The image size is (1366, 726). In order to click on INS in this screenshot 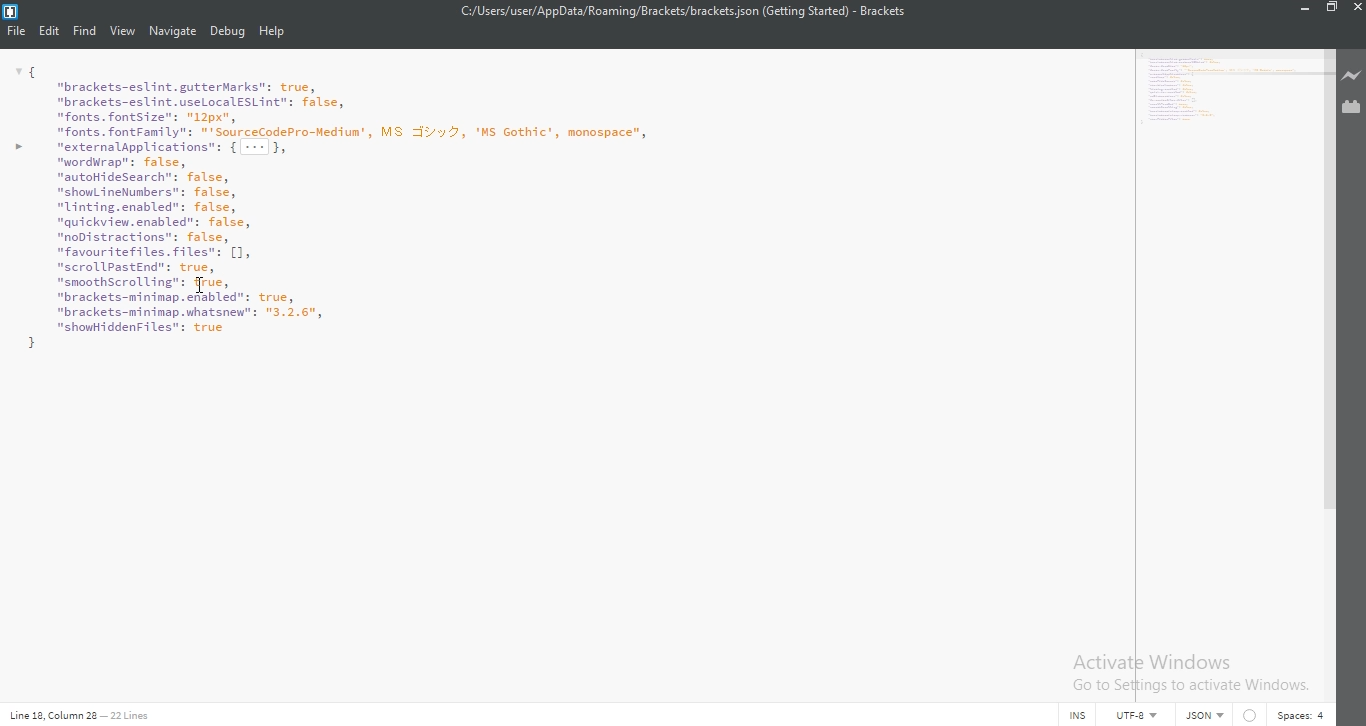, I will do `click(1080, 716)`.